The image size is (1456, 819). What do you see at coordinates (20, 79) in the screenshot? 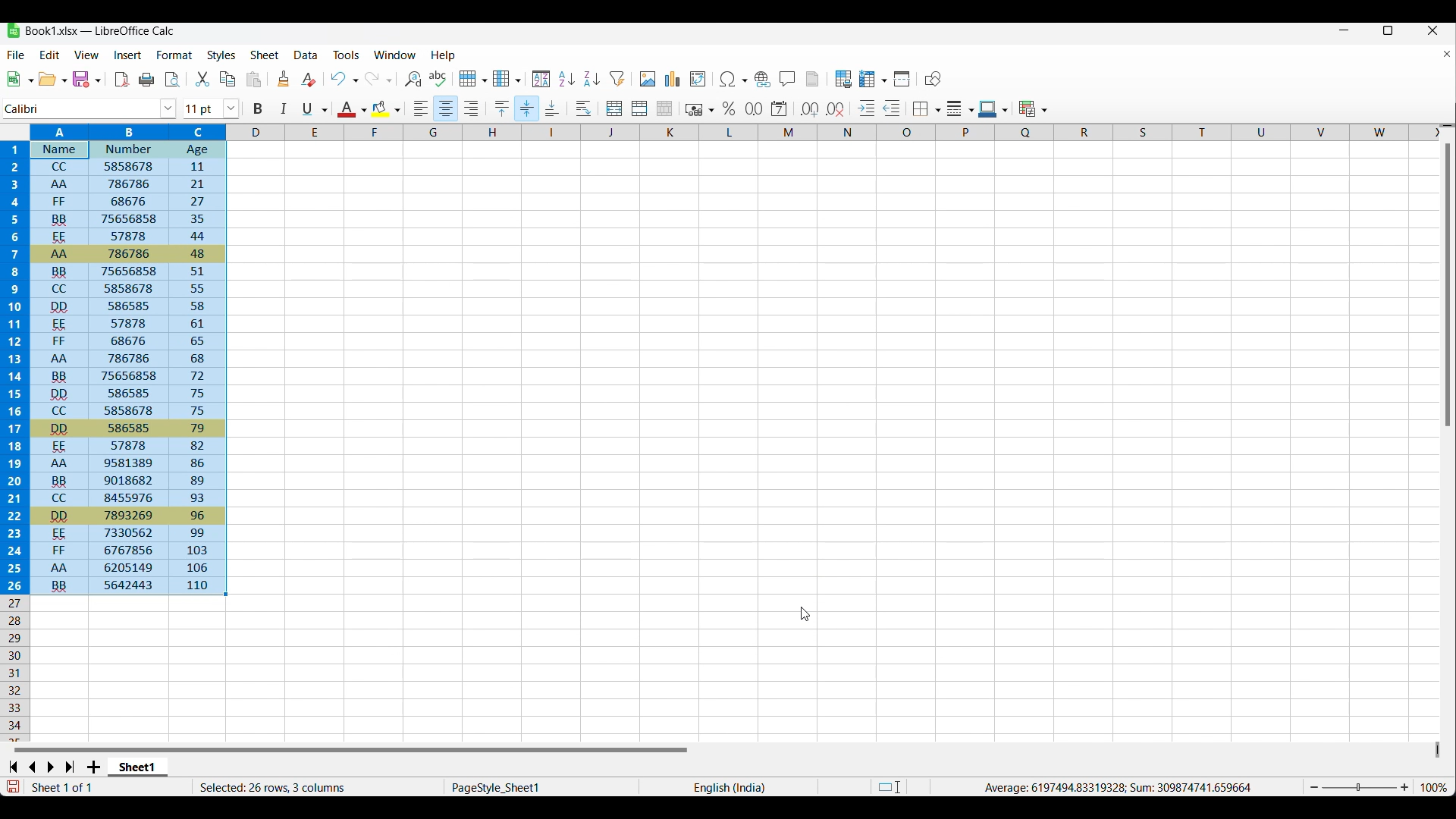
I see `New document options` at bounding box center [20, 79].